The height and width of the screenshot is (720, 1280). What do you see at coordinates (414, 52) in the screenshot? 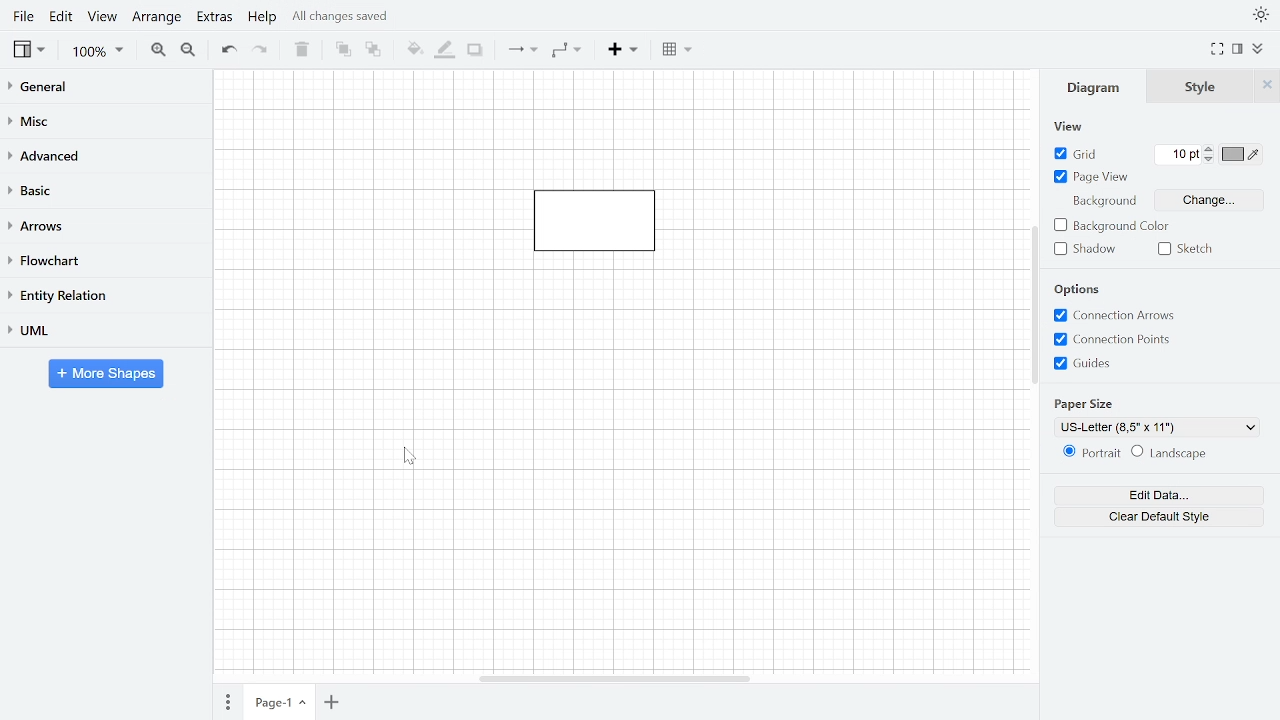
I see `Fill color` at bounding box center [414, 52].